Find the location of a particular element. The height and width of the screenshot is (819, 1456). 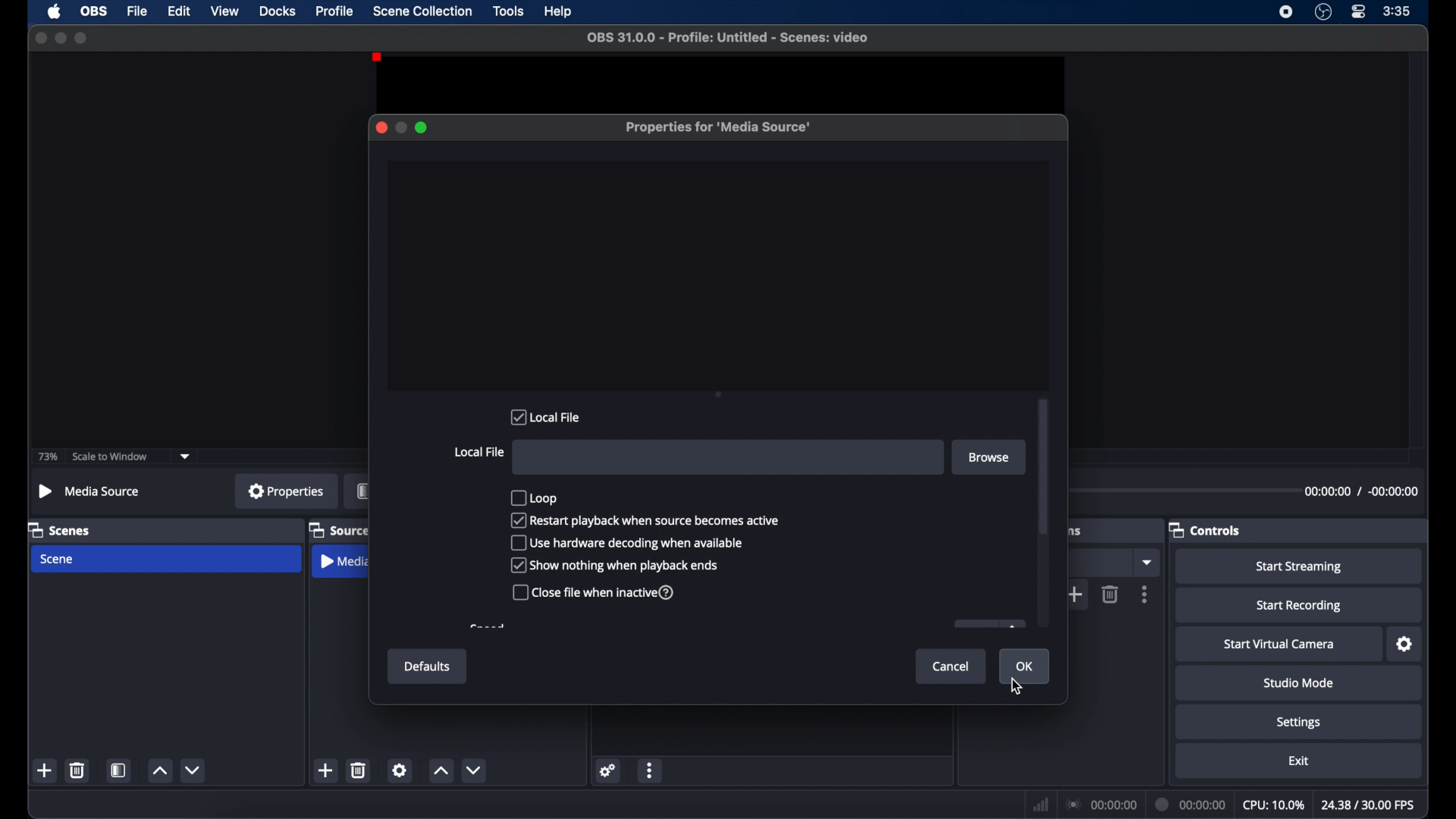

scene filters is located at coordinates (118, 770).